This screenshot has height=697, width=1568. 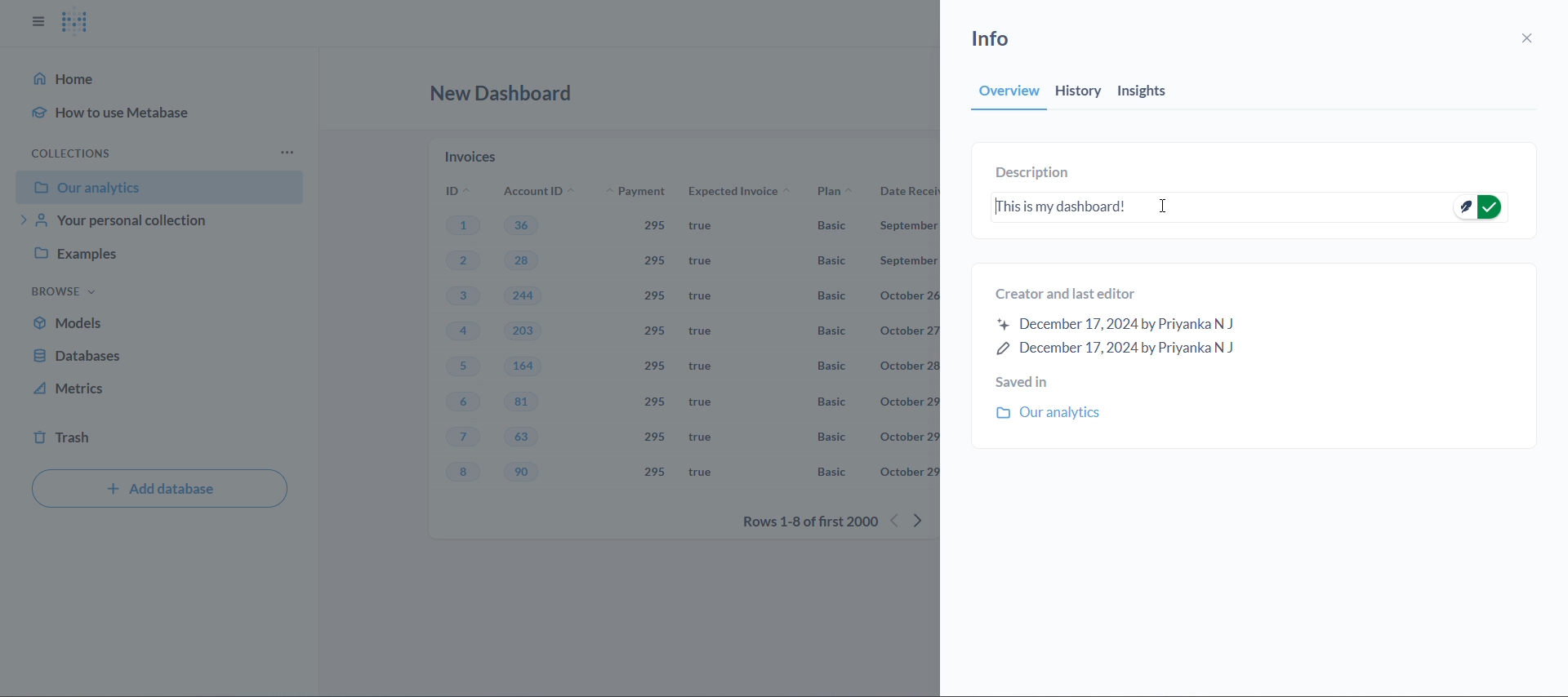 What do you see at coordinates (159, 187) in the screenshot?
I see `our analytics` at bounding box center [159, 187].